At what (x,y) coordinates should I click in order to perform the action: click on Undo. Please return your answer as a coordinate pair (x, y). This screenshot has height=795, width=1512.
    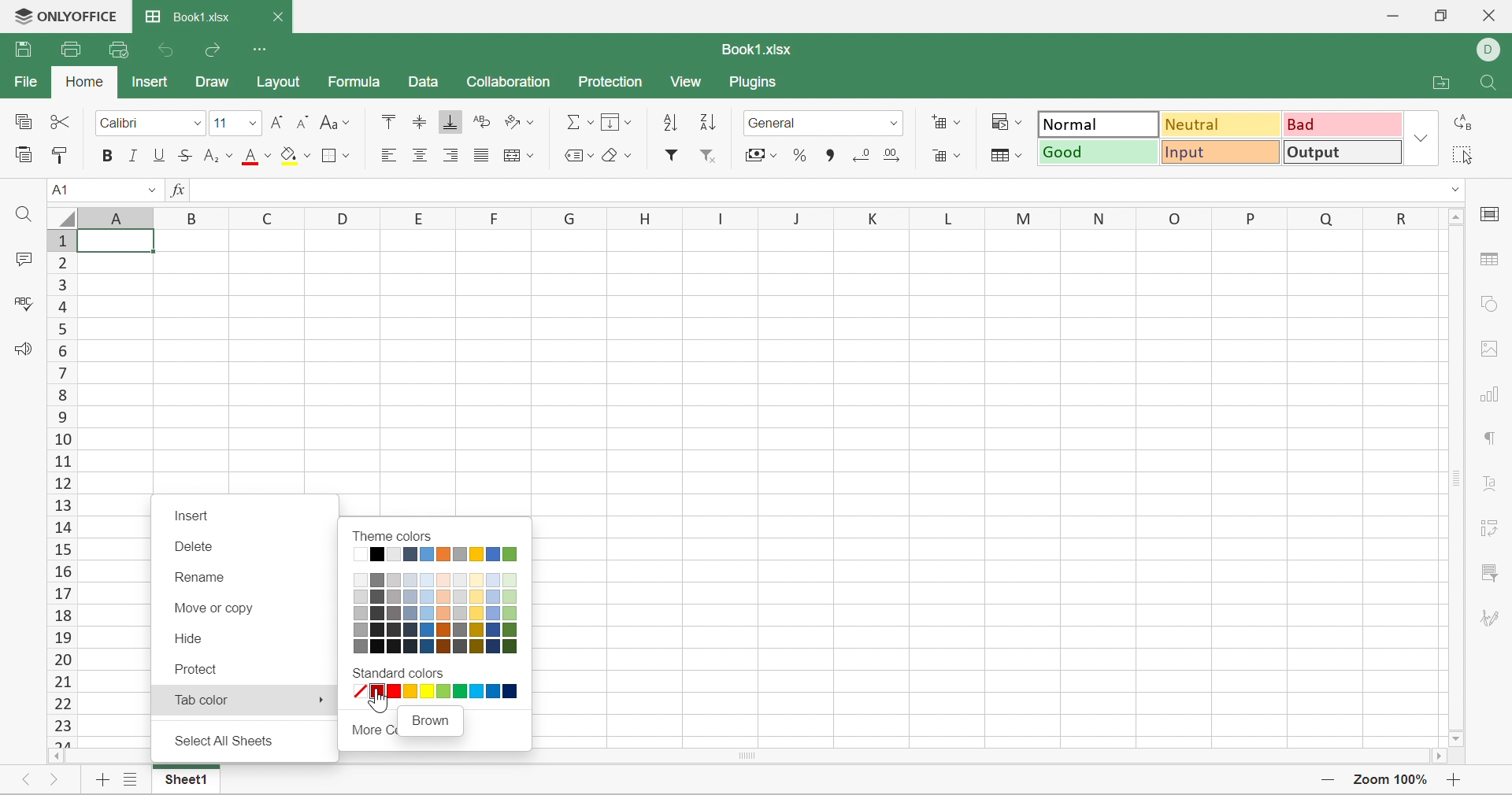
    Looking at the image, I should click on (169, 52).